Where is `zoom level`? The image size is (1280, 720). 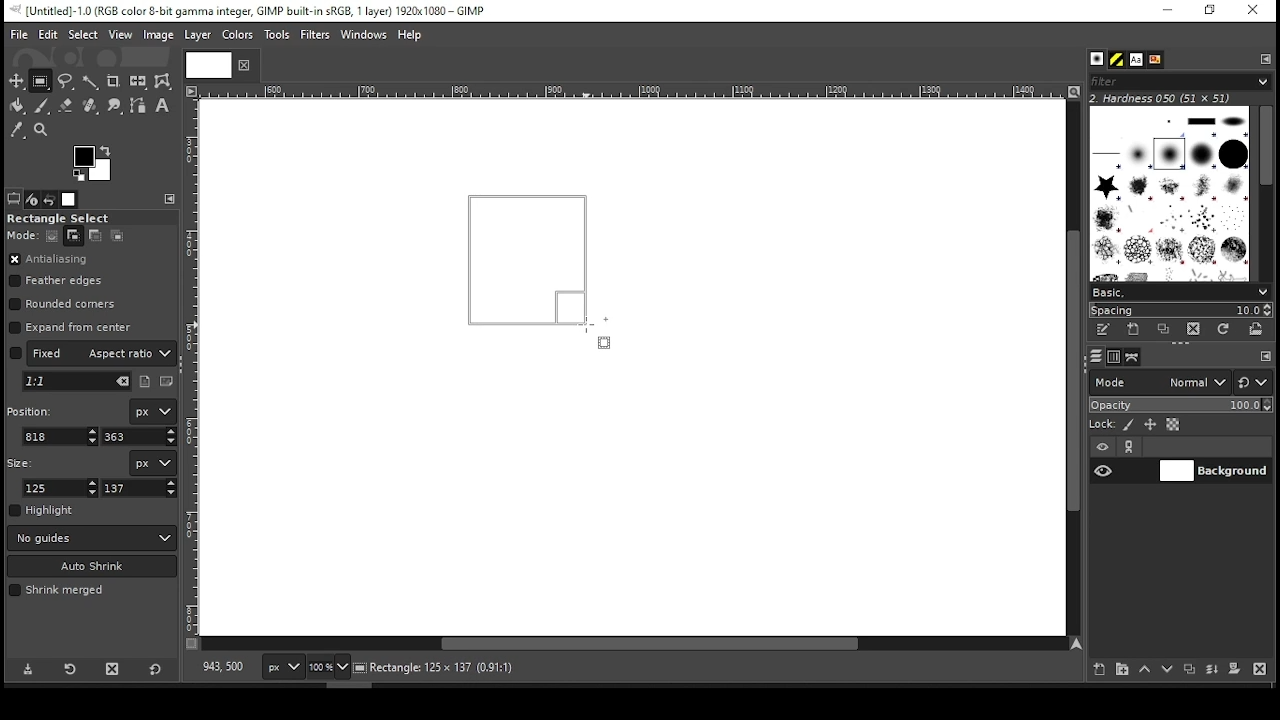 zoom level is located at coordinates (328, 669).